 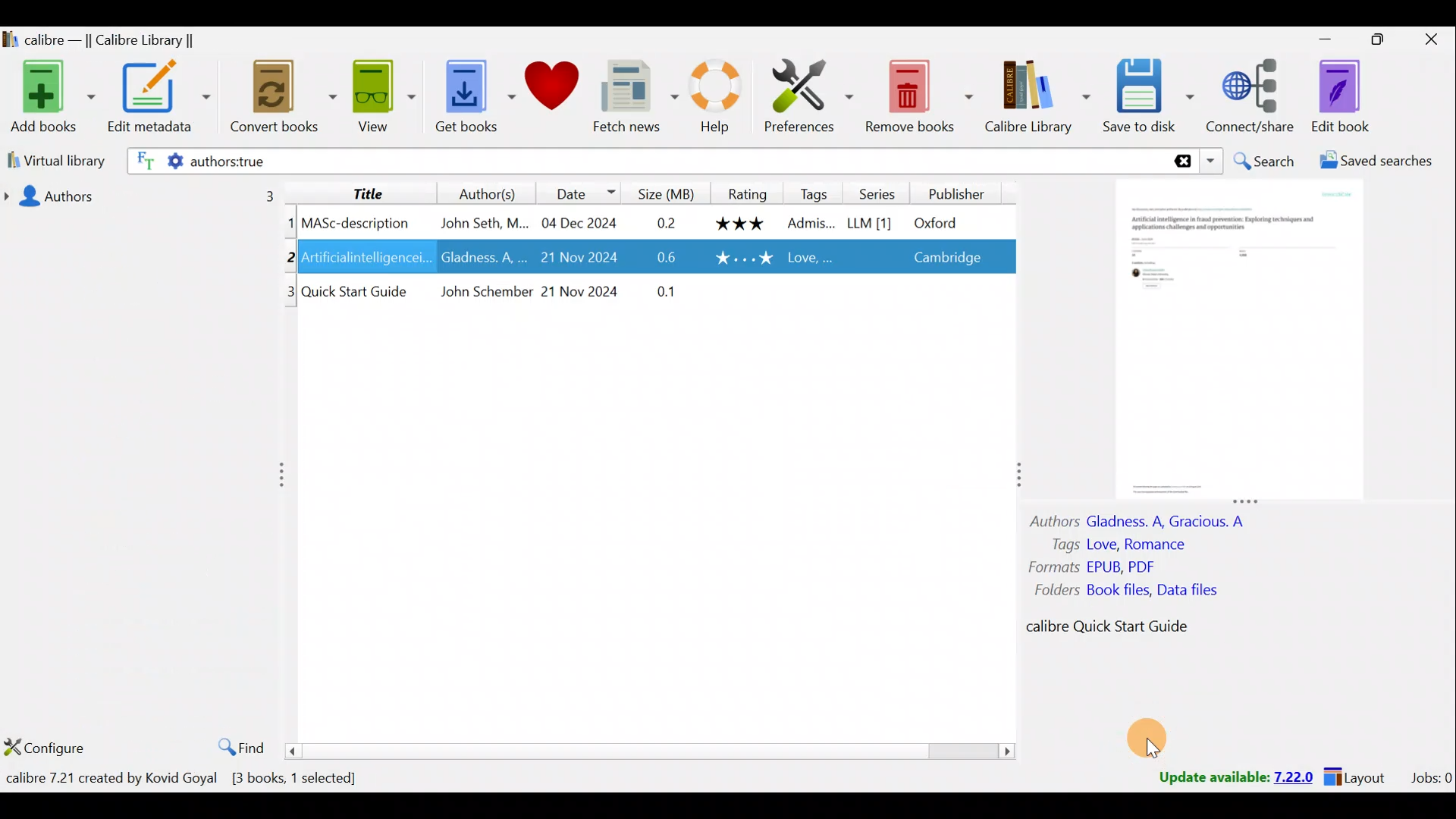 I want to click on Title, so click(x=362, y=191).